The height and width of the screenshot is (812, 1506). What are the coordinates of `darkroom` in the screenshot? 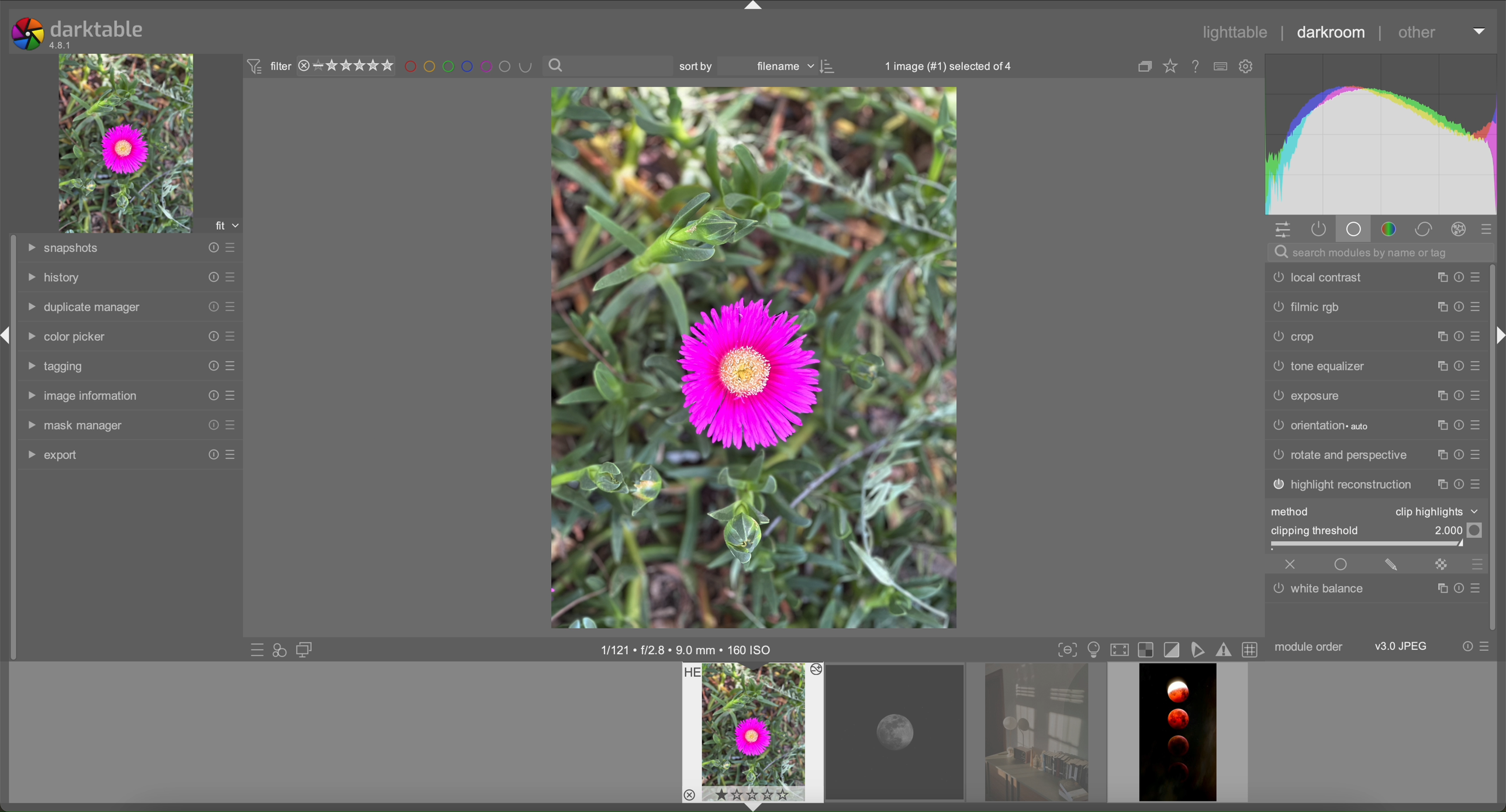 It's located at (1328, 30).